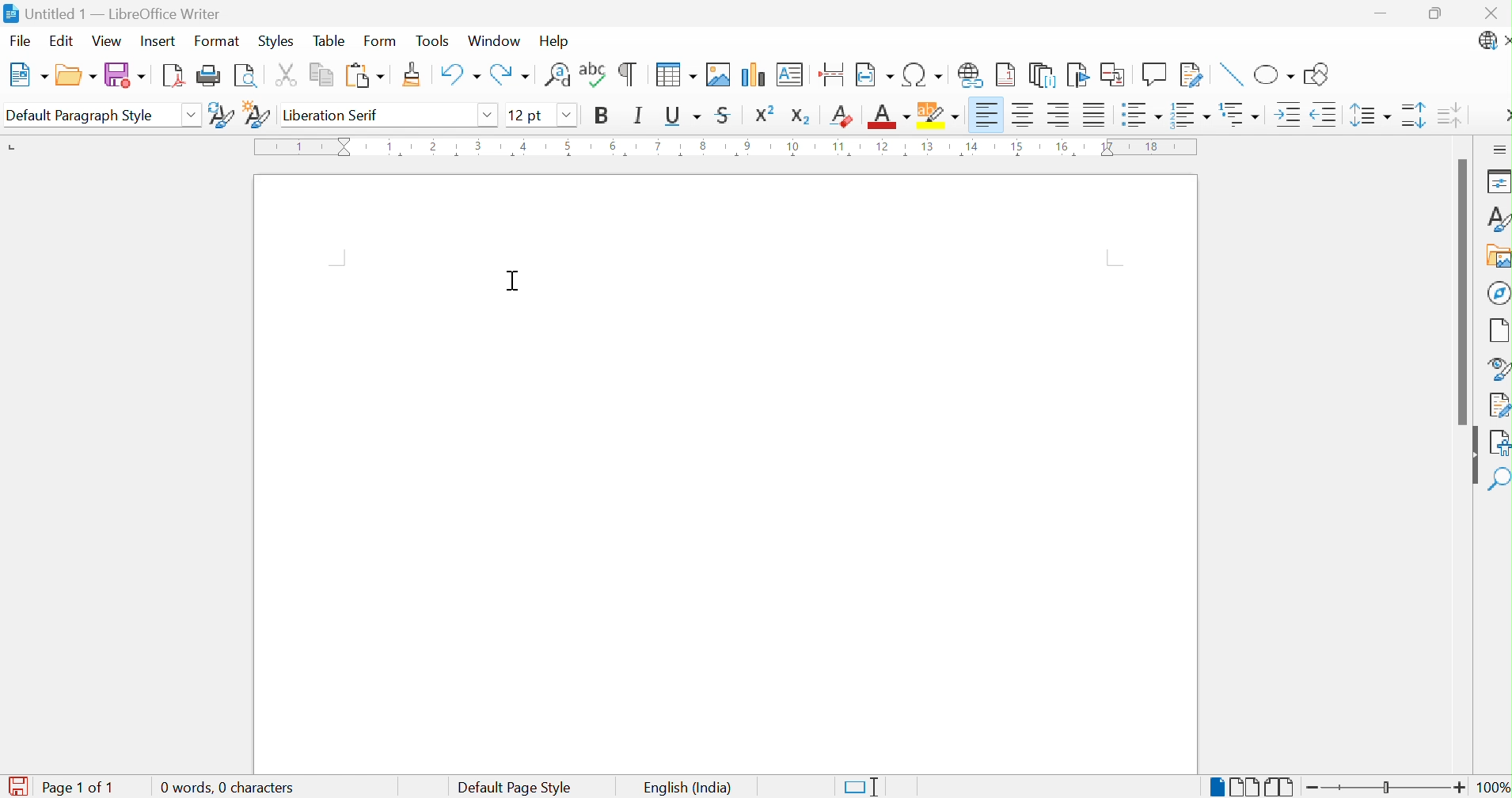  What do you see at coordinates (629, 74) in the screenshot?
I see `Toggle Formatting Marks` at bounding box center [629, 74].